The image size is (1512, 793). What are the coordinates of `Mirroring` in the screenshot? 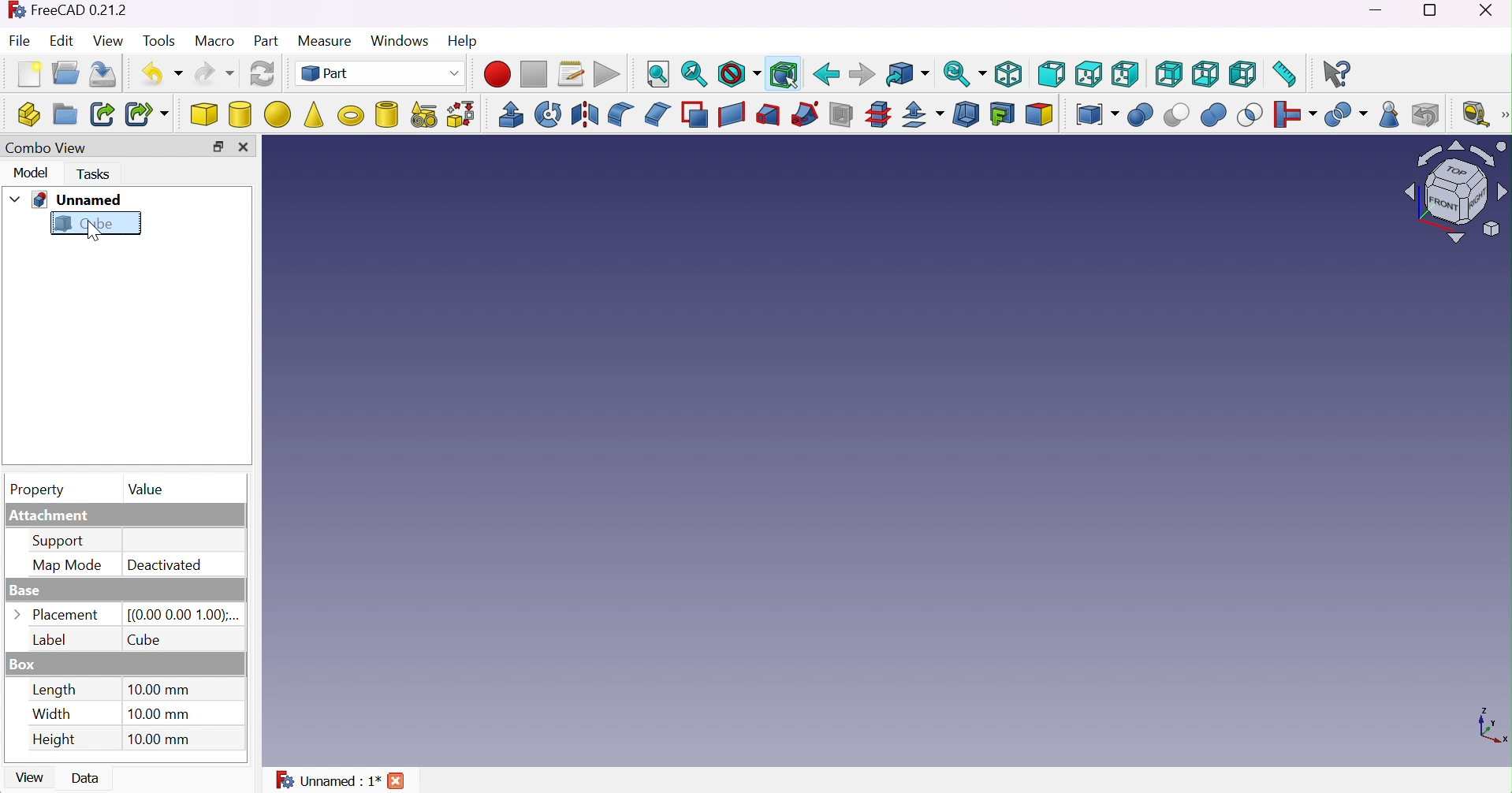 It's located at (586, 116).